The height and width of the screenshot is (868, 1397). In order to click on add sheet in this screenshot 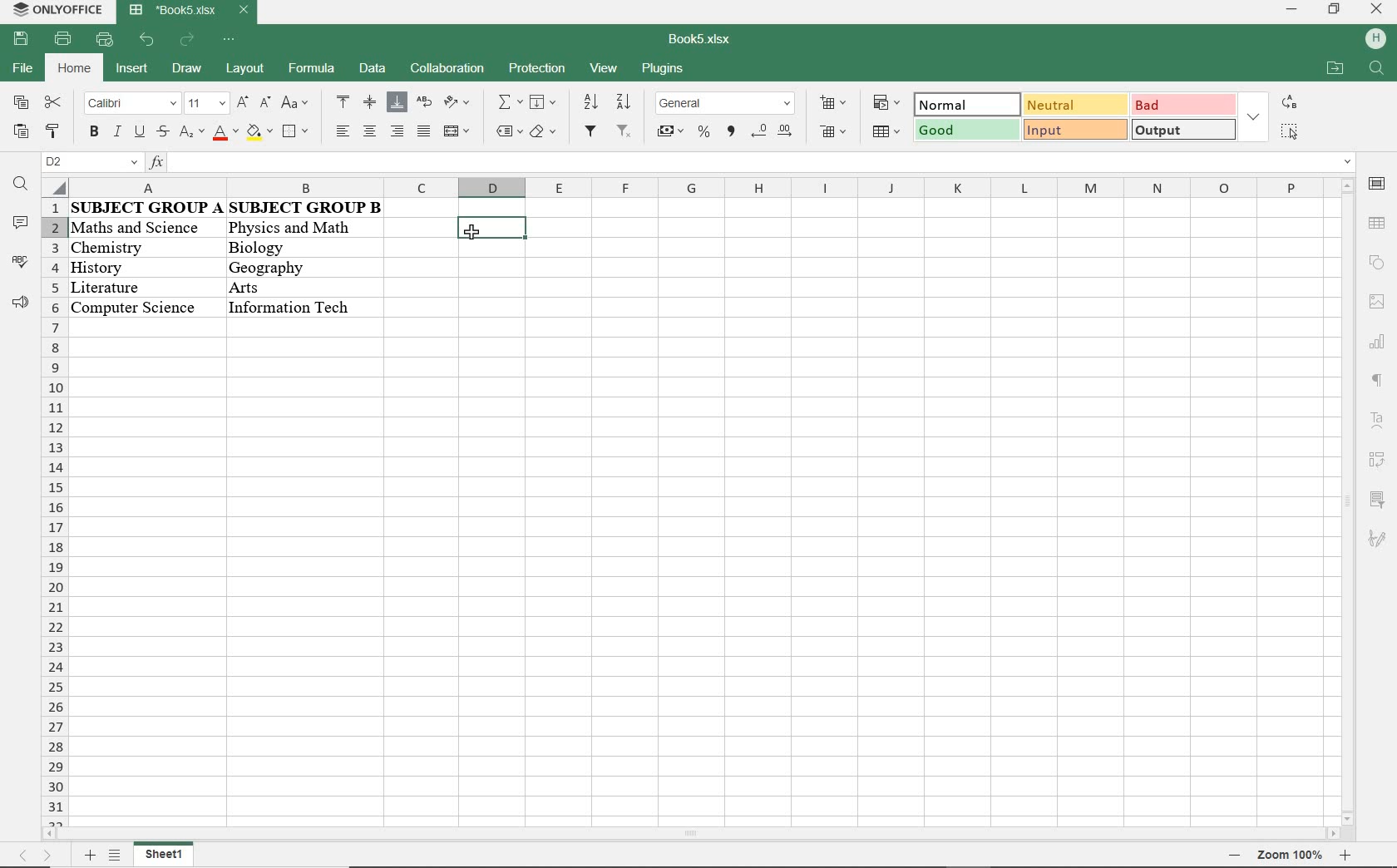, I will do `click(87, 857)`.